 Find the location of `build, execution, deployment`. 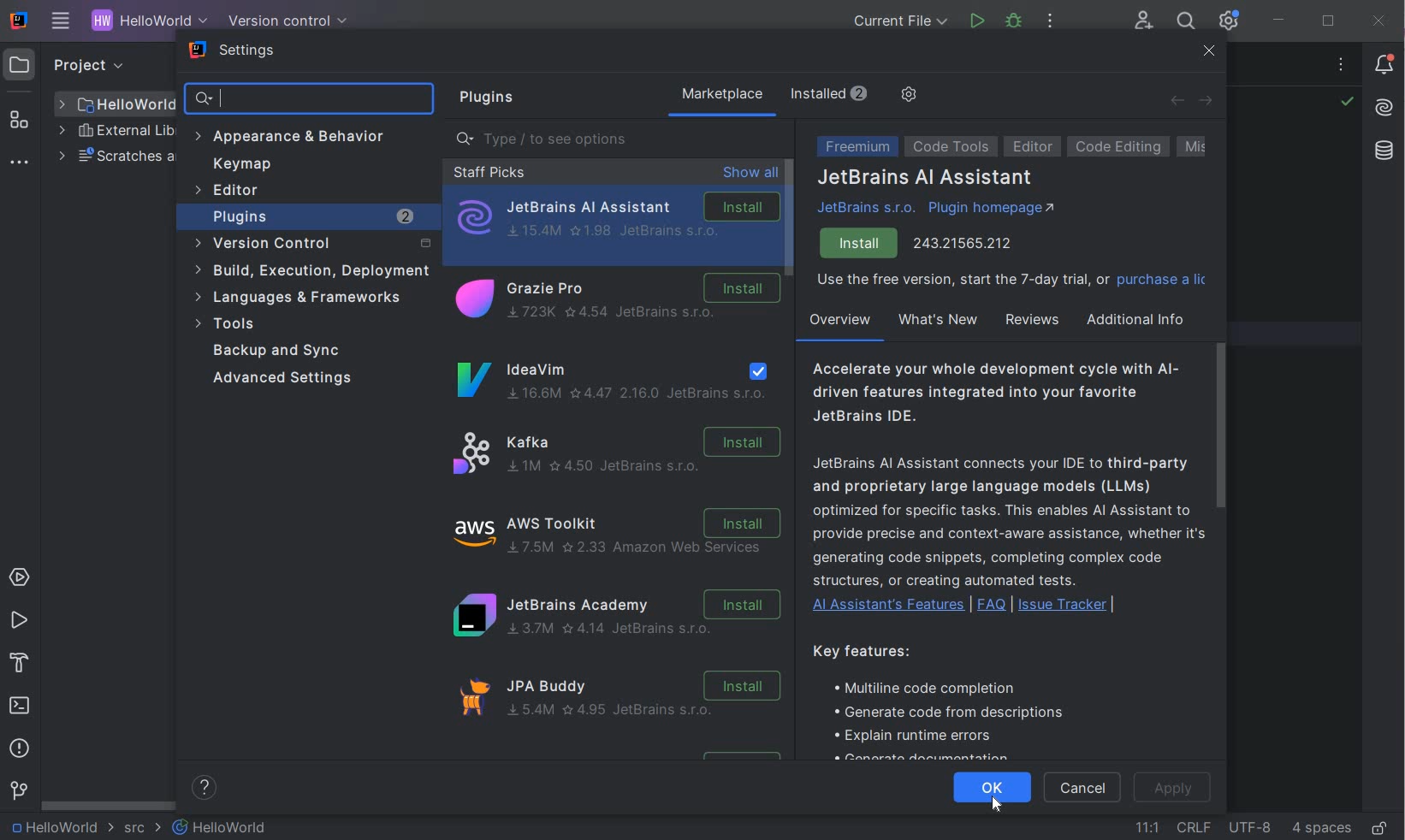

build, execution, deployment is located at coordinates (311, 270).